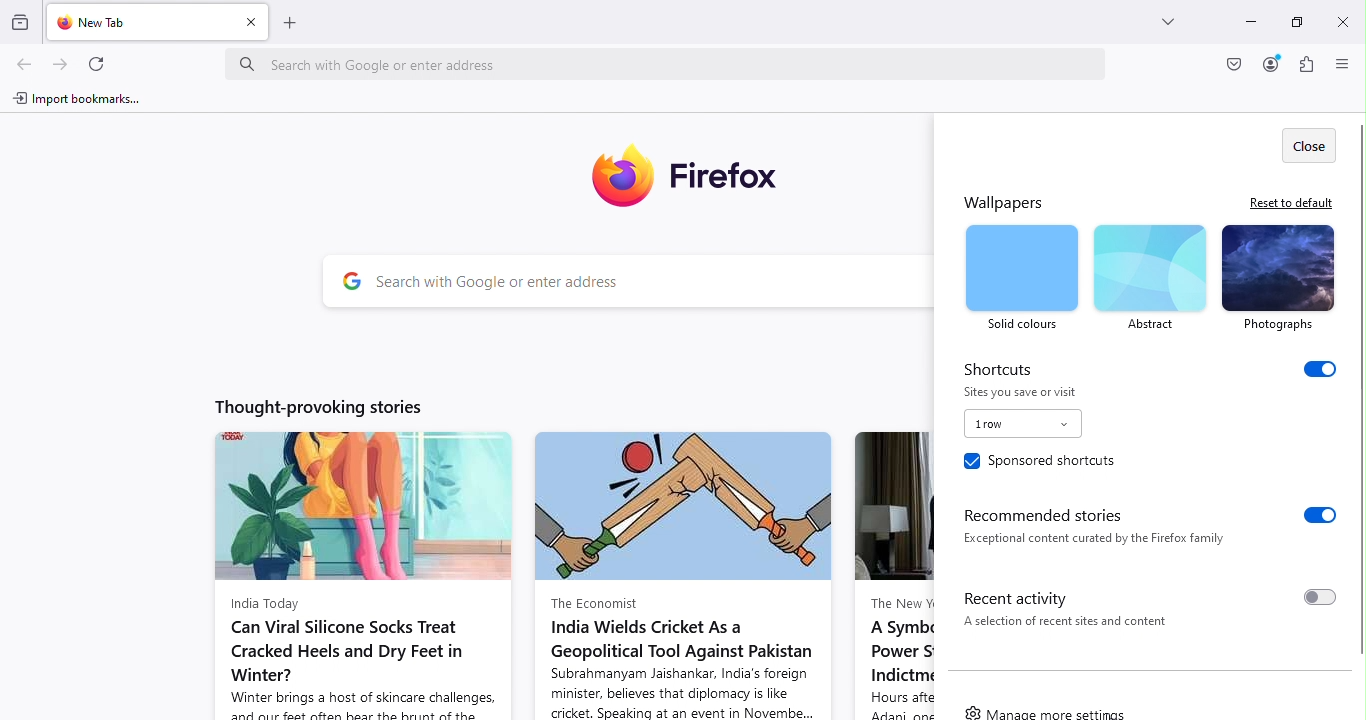 The width and height of the screenshot is (1366, 720). Describe the element at coordinates (1289, 22) in the screenshot. I see `Maximize` at that location.